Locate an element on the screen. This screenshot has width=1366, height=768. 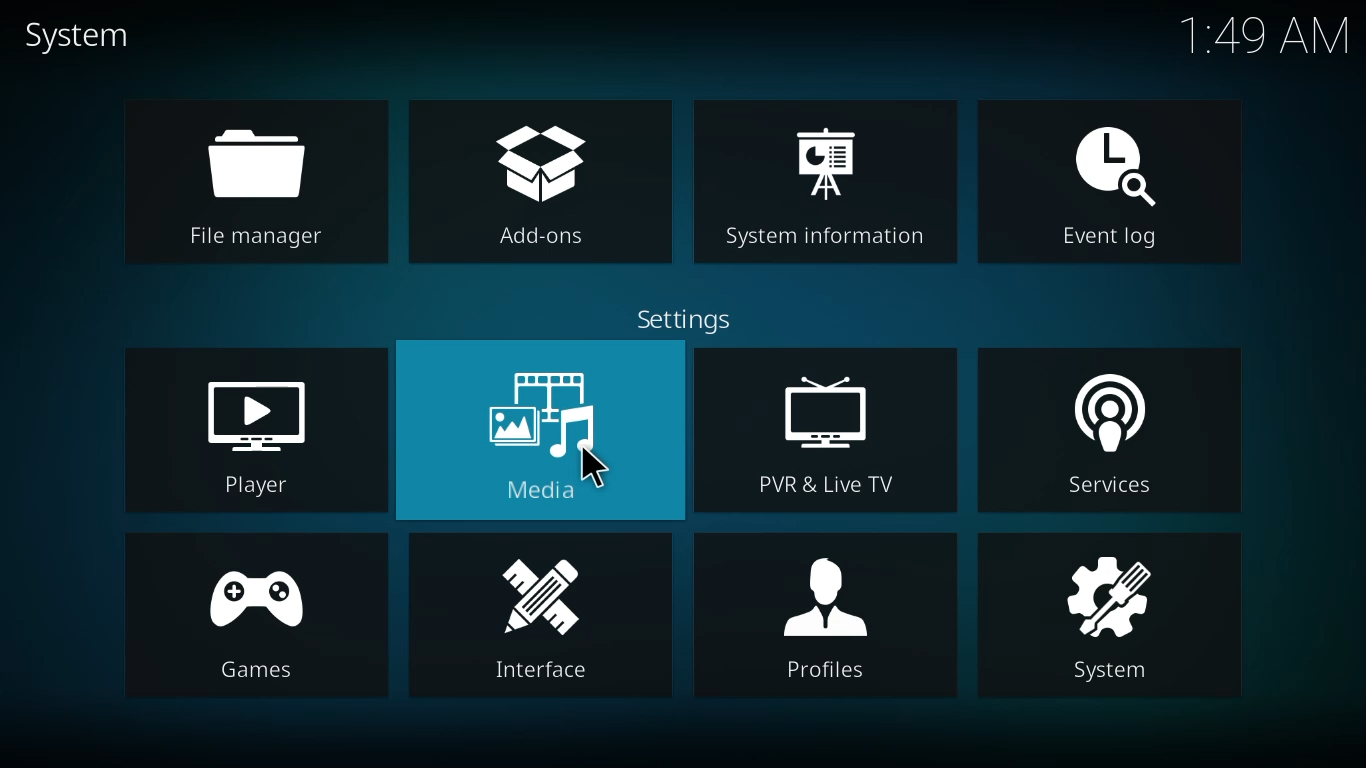
media is located at coordinates (553, 433).